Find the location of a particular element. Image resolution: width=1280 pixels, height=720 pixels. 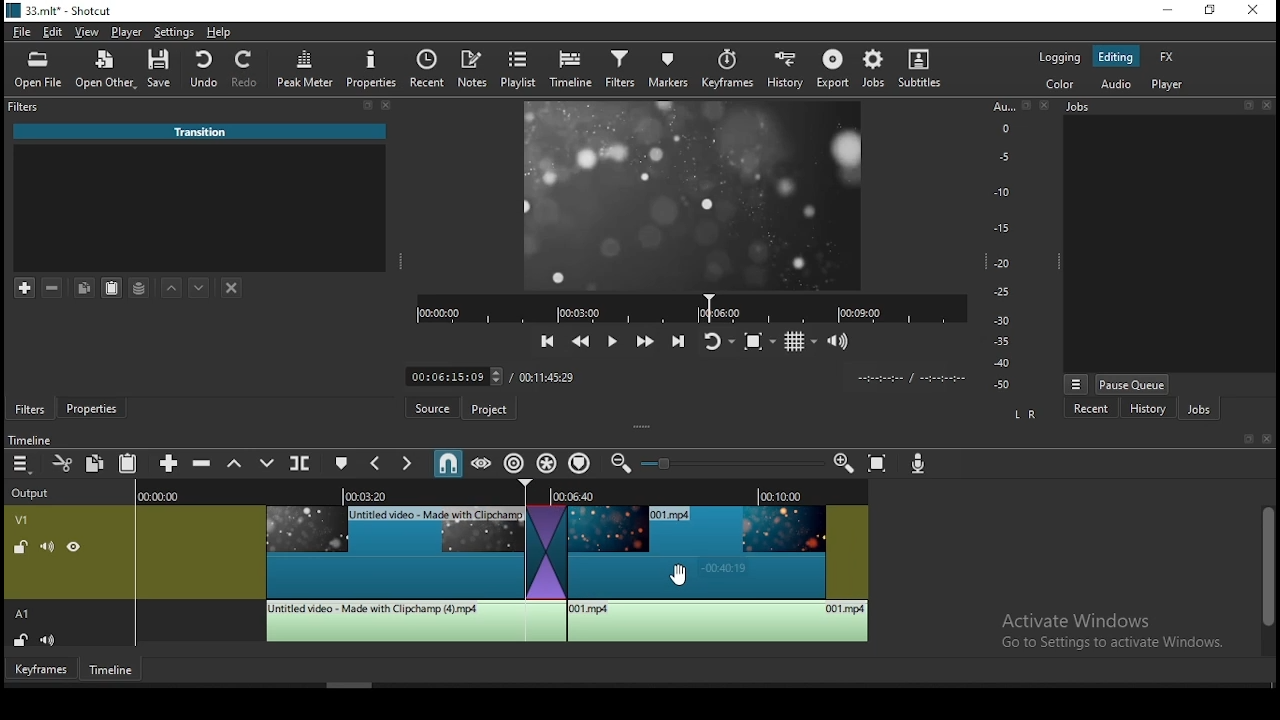

scroll bar is located at coordinates (1266, 580).